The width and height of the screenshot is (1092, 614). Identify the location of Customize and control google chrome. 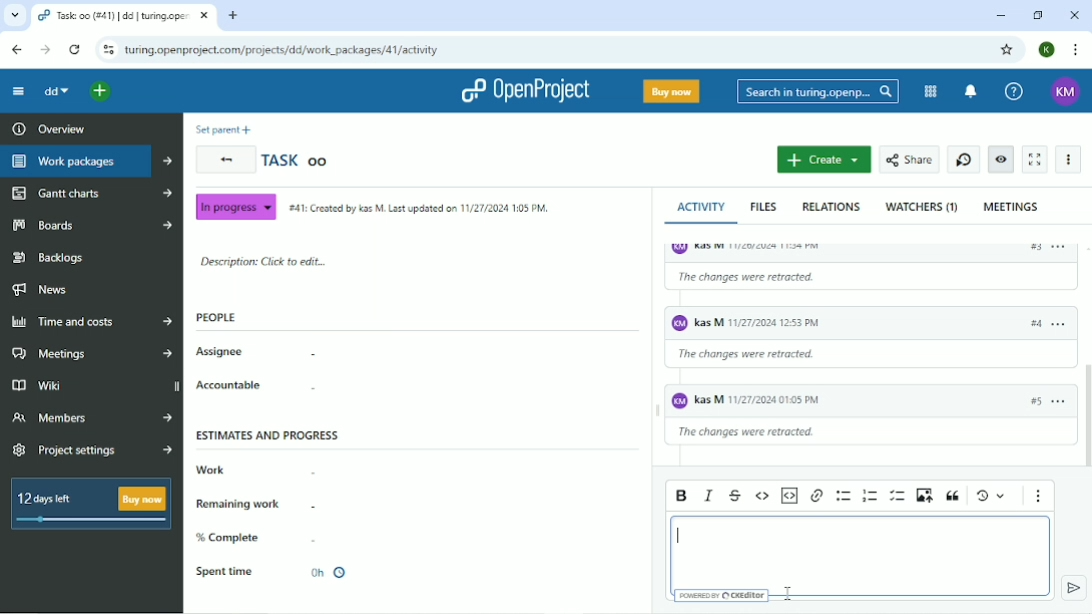
(1076, 51).